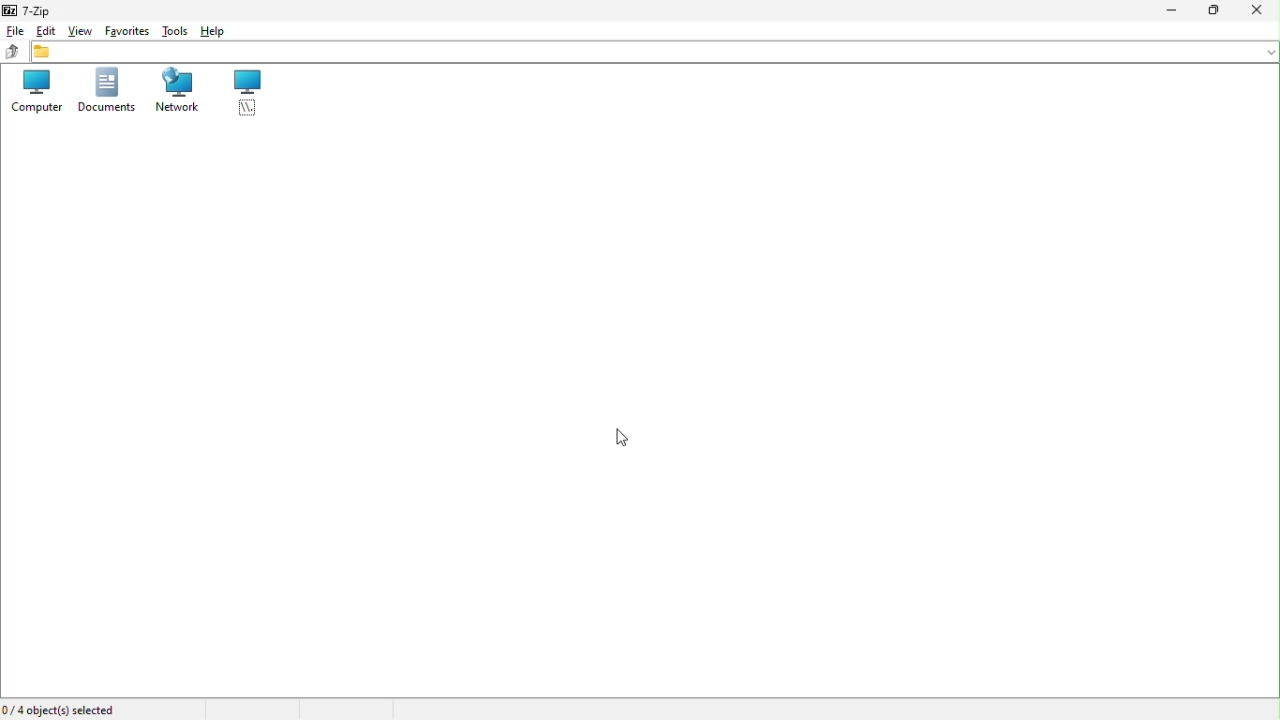 The image size is (1280, 720). What do you see at coordinates (178, 93) in the screenshot?
I see `network` at bounding box center [178, 93].